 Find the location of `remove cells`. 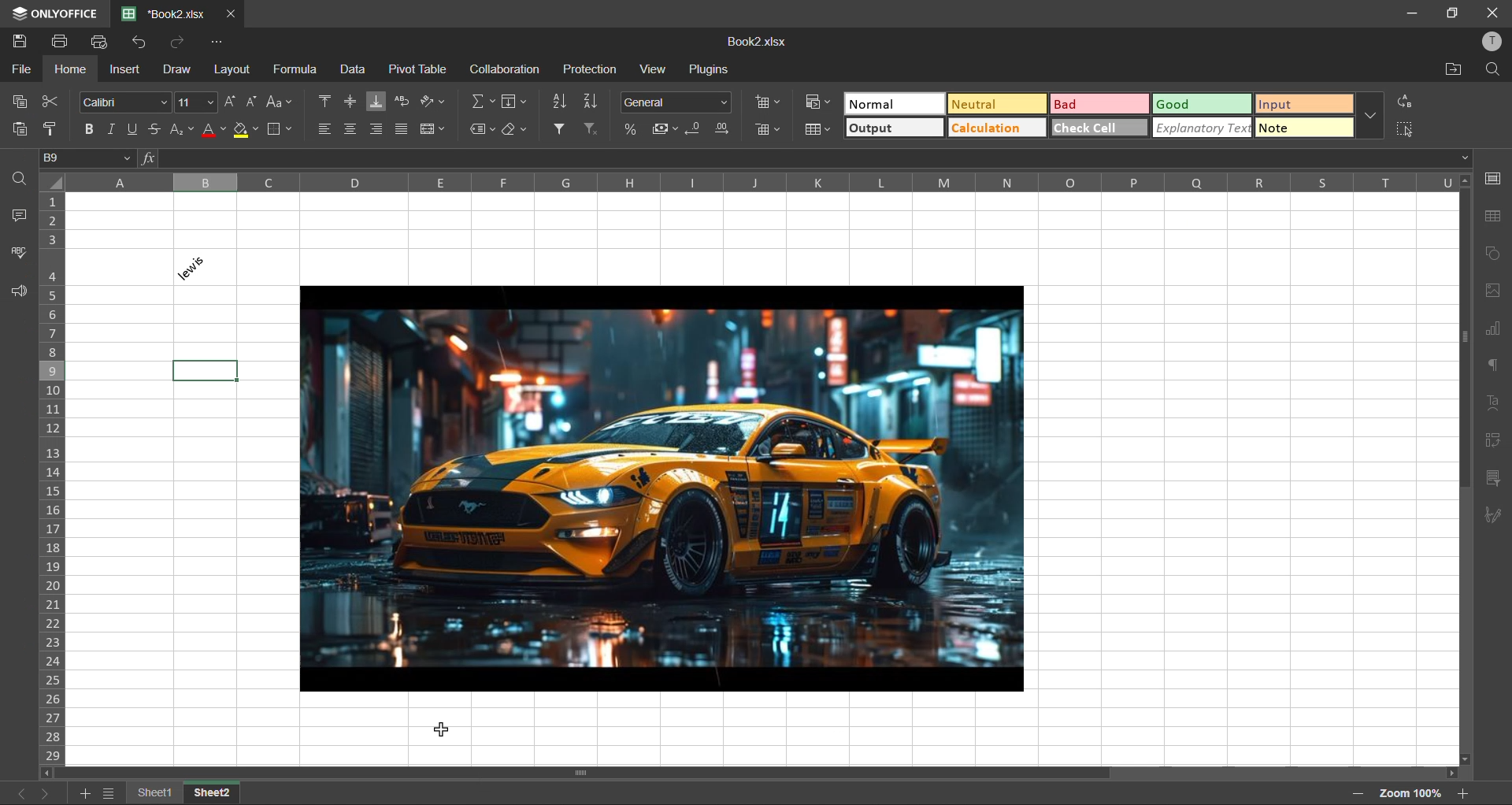

remove cells is located at coordinates (771, 131).